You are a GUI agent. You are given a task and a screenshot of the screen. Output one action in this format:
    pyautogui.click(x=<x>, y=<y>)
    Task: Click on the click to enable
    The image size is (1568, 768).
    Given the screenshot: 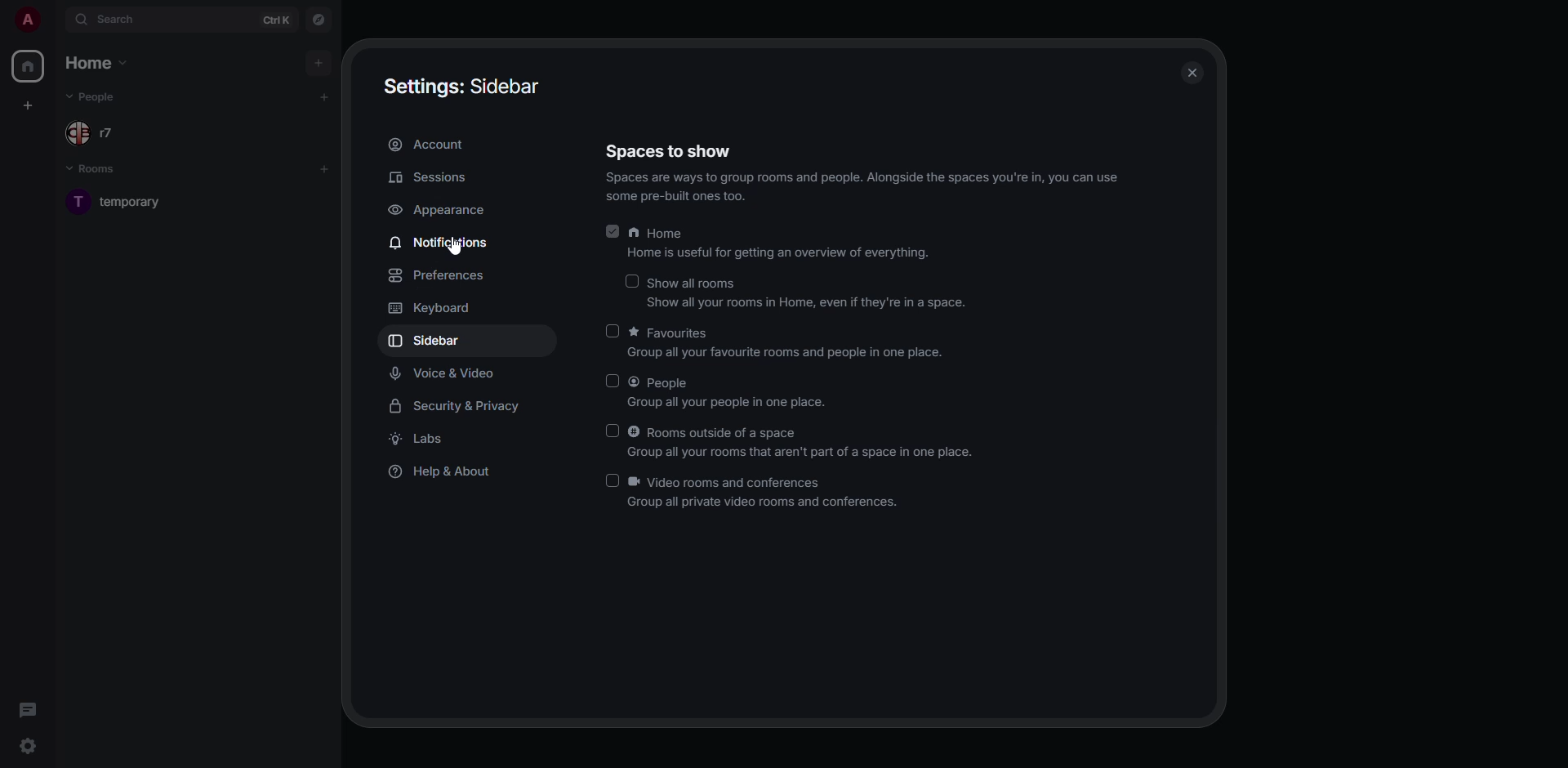 What is the action you would take?
    pyautogui.click(x=611, y=428)
    